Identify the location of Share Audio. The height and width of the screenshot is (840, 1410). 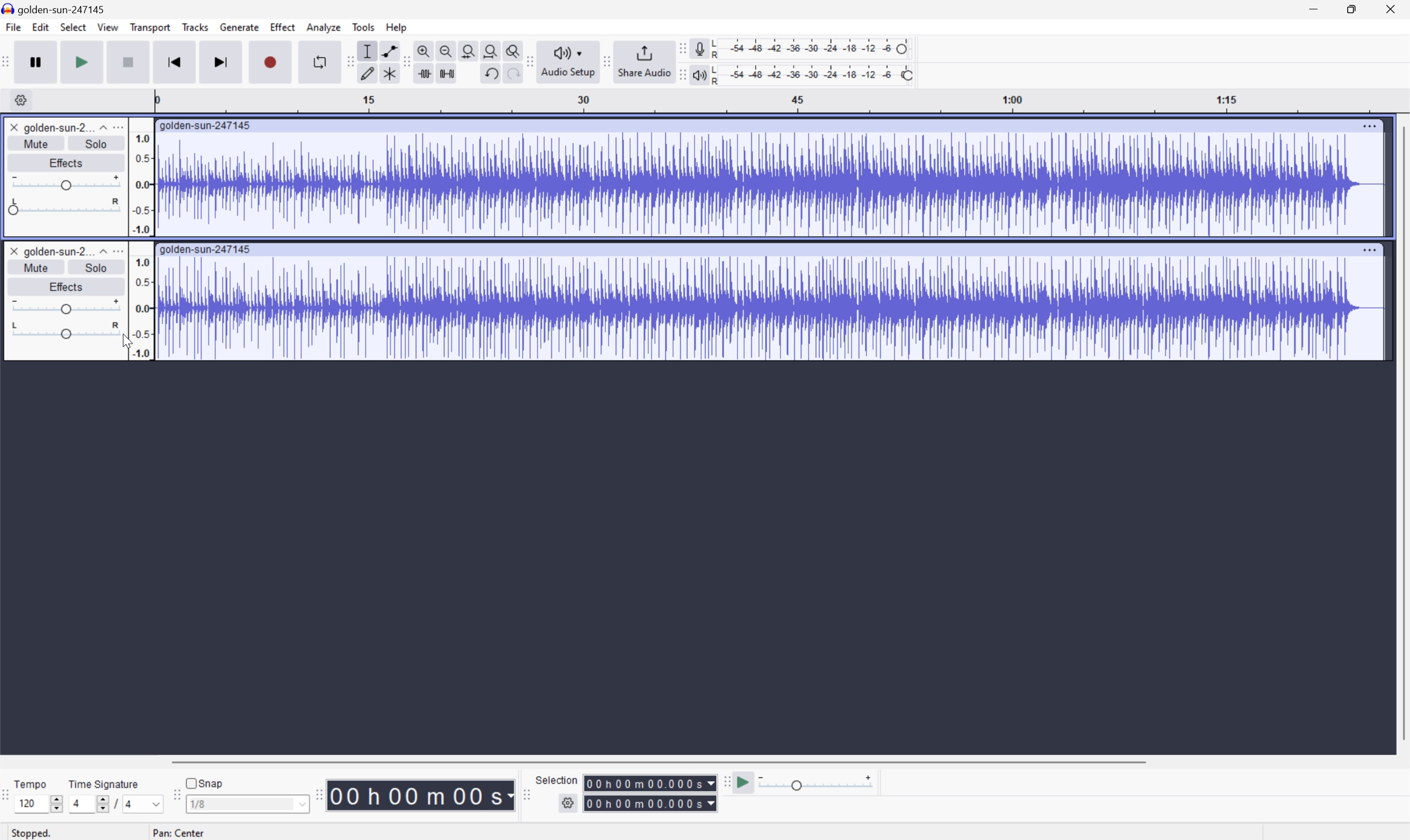
(641, 59).